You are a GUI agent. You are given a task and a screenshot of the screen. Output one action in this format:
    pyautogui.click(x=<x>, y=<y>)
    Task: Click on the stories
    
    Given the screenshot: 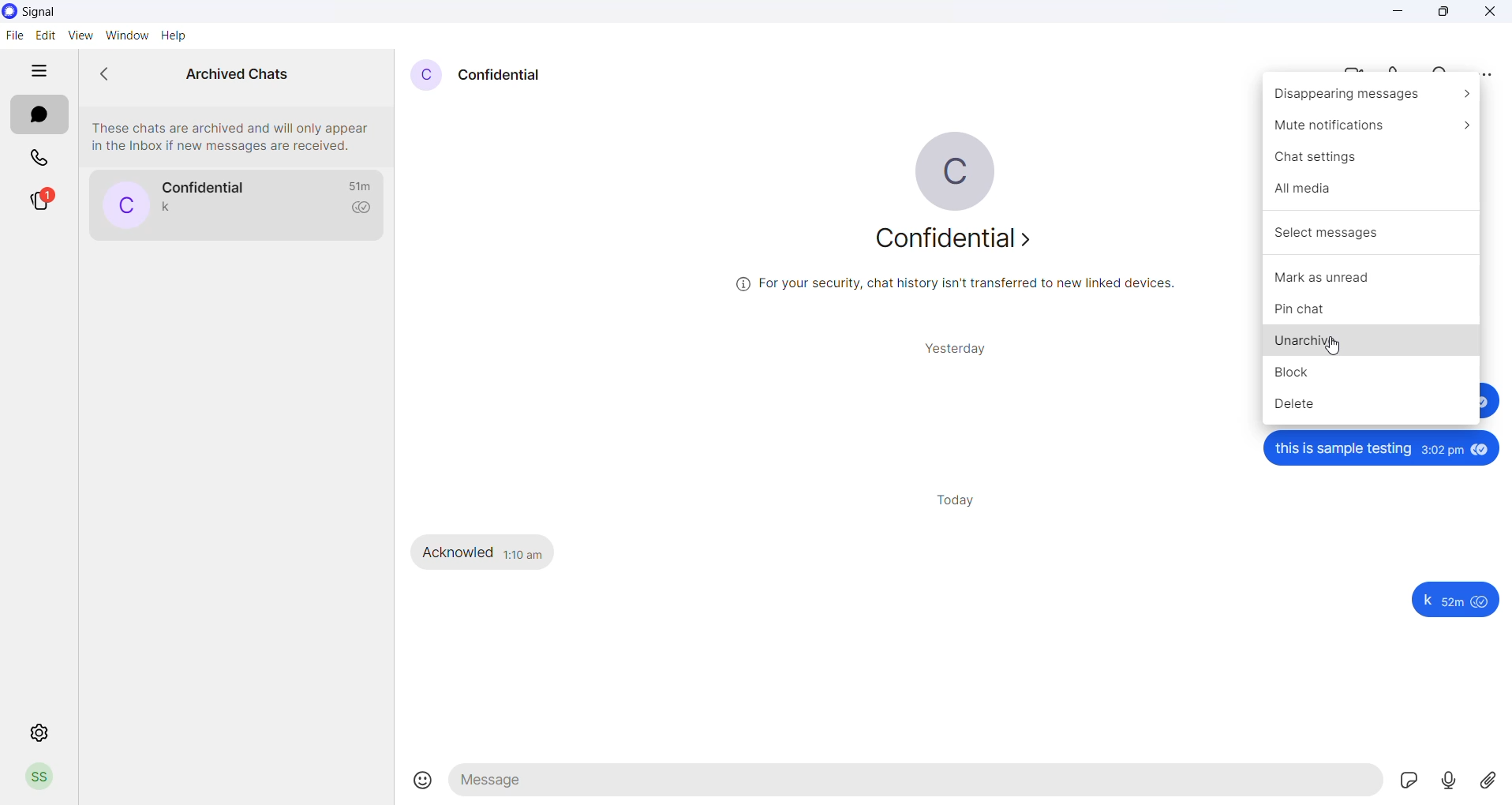 What is the action you would take?
    pyautogui.click(x=39, y=202)
    